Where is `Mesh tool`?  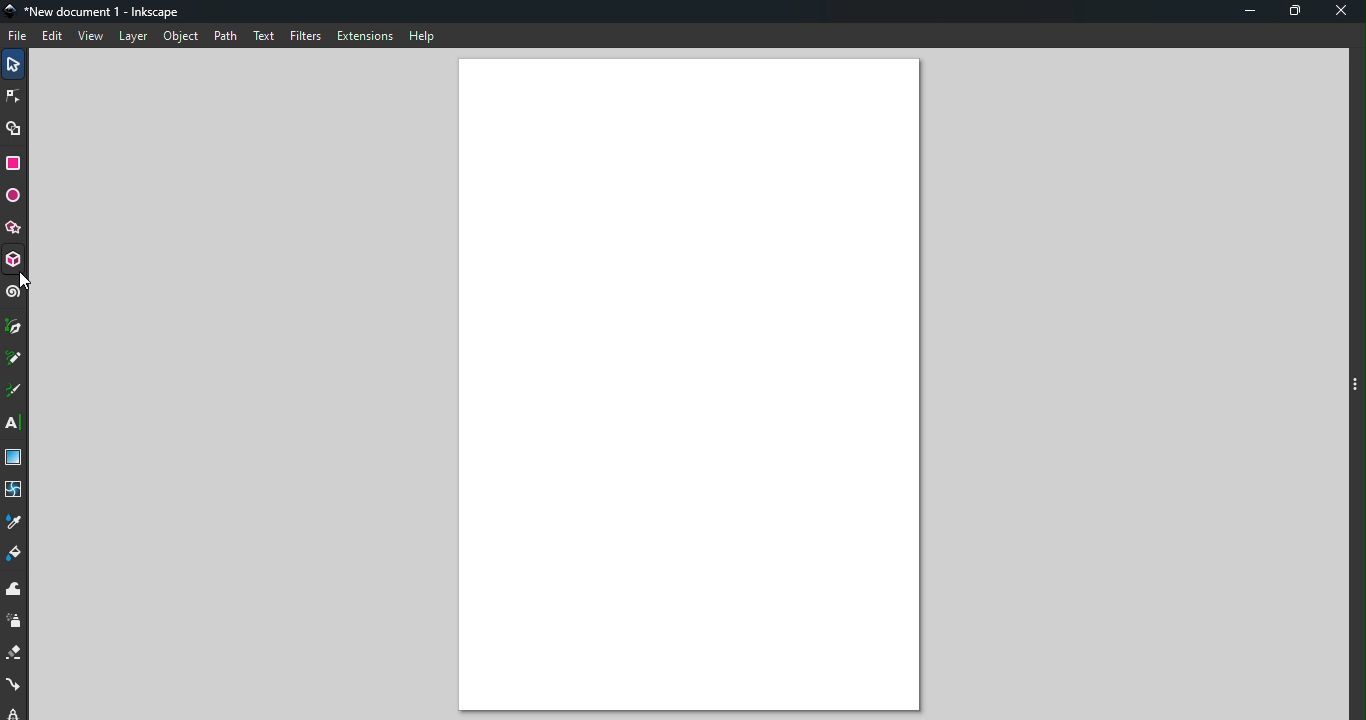
Mesh tool is located at coordinates (14, 488).